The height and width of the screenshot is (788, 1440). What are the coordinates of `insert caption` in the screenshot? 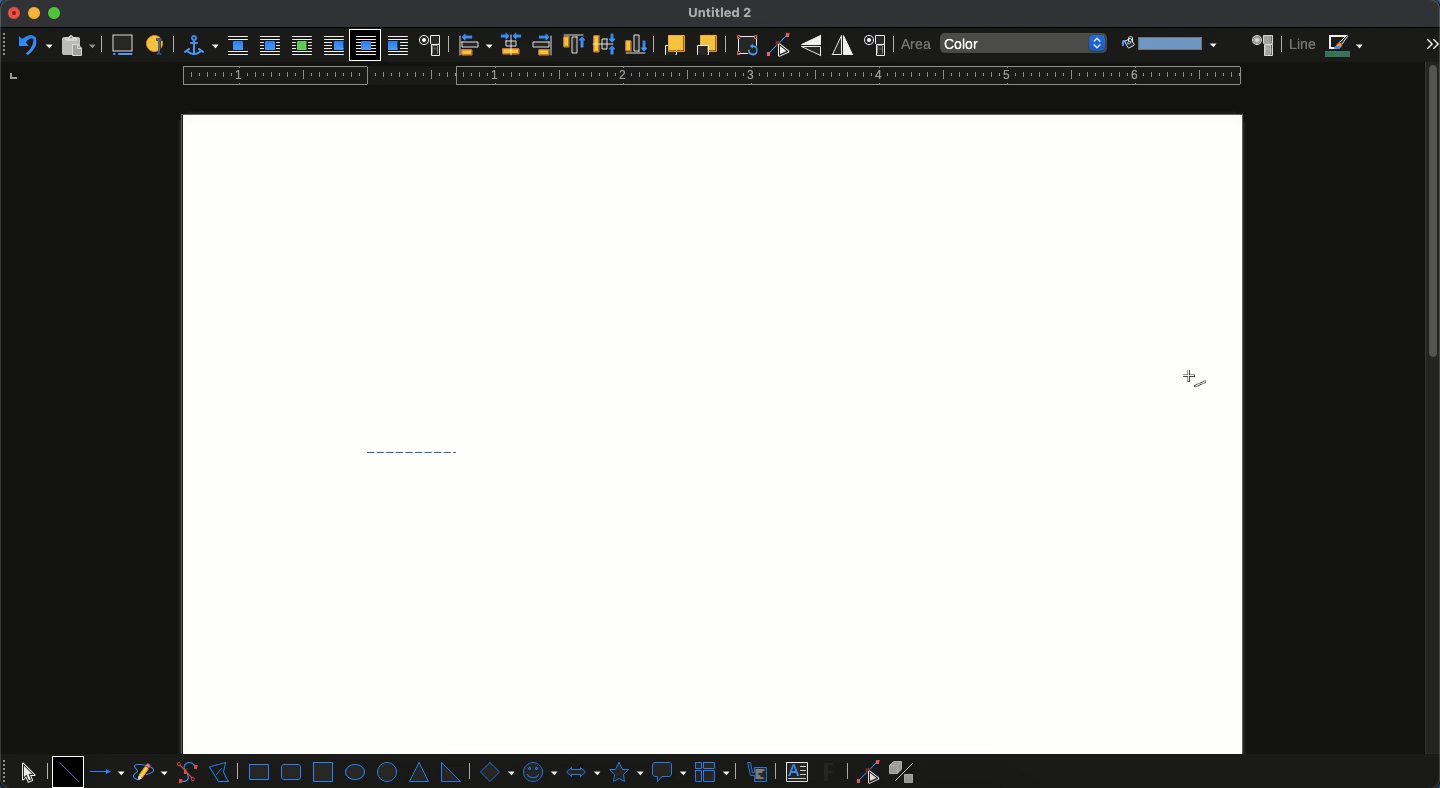 It's located at (121, 46).